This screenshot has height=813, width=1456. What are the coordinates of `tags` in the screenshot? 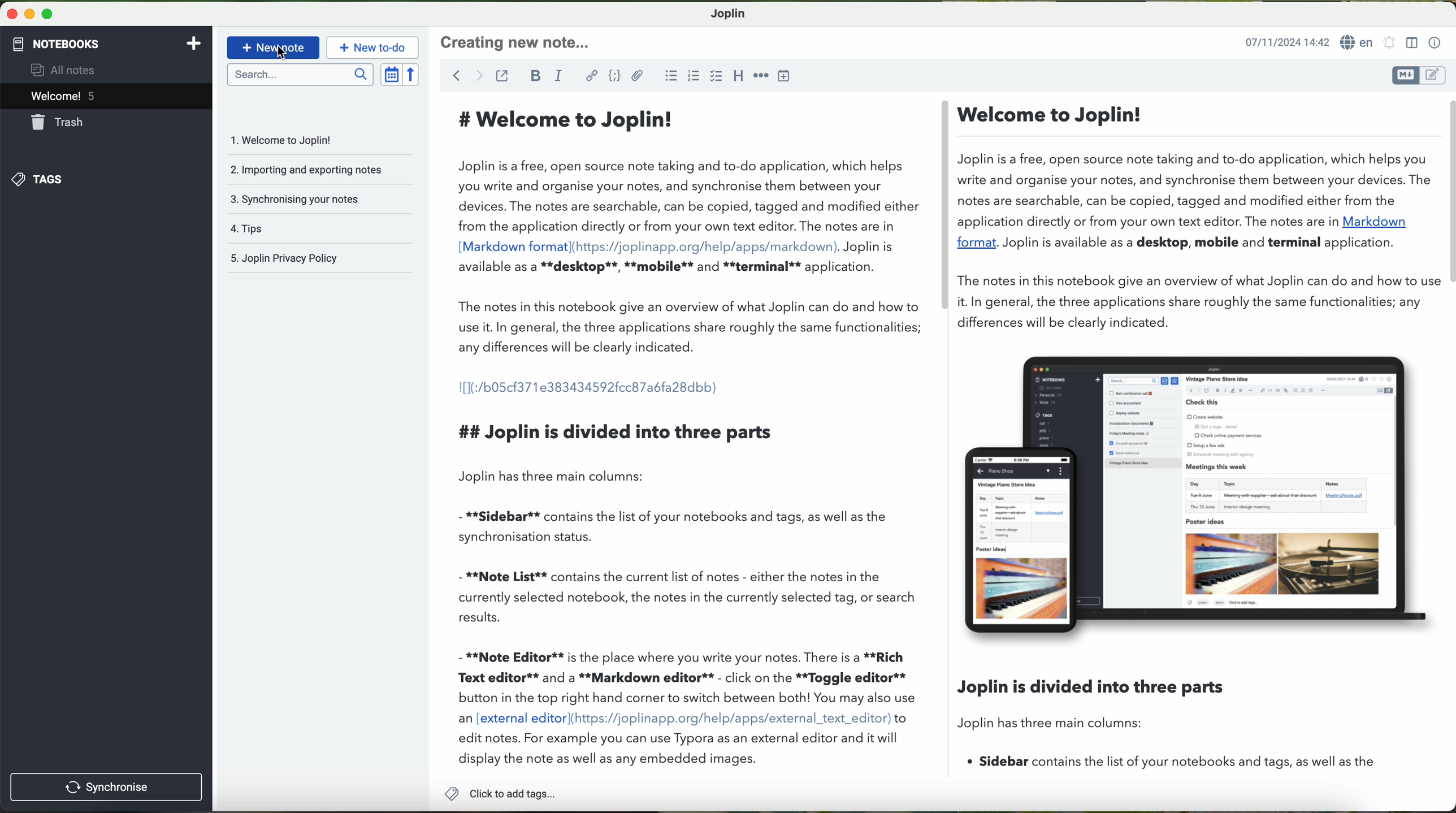 It's located at (318, 228).